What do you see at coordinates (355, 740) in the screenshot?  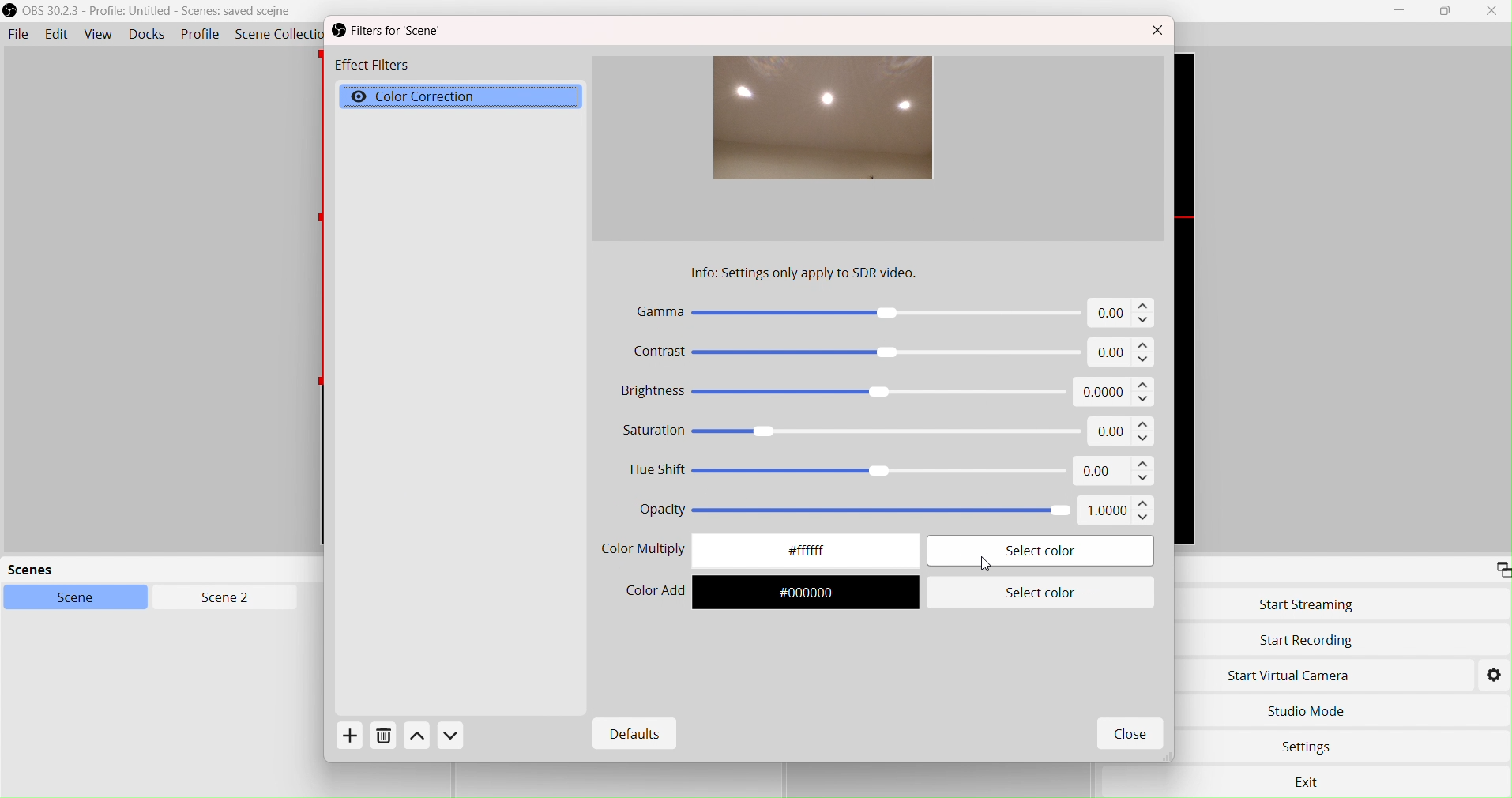 I see `Add` at bounding box center [355, 740].